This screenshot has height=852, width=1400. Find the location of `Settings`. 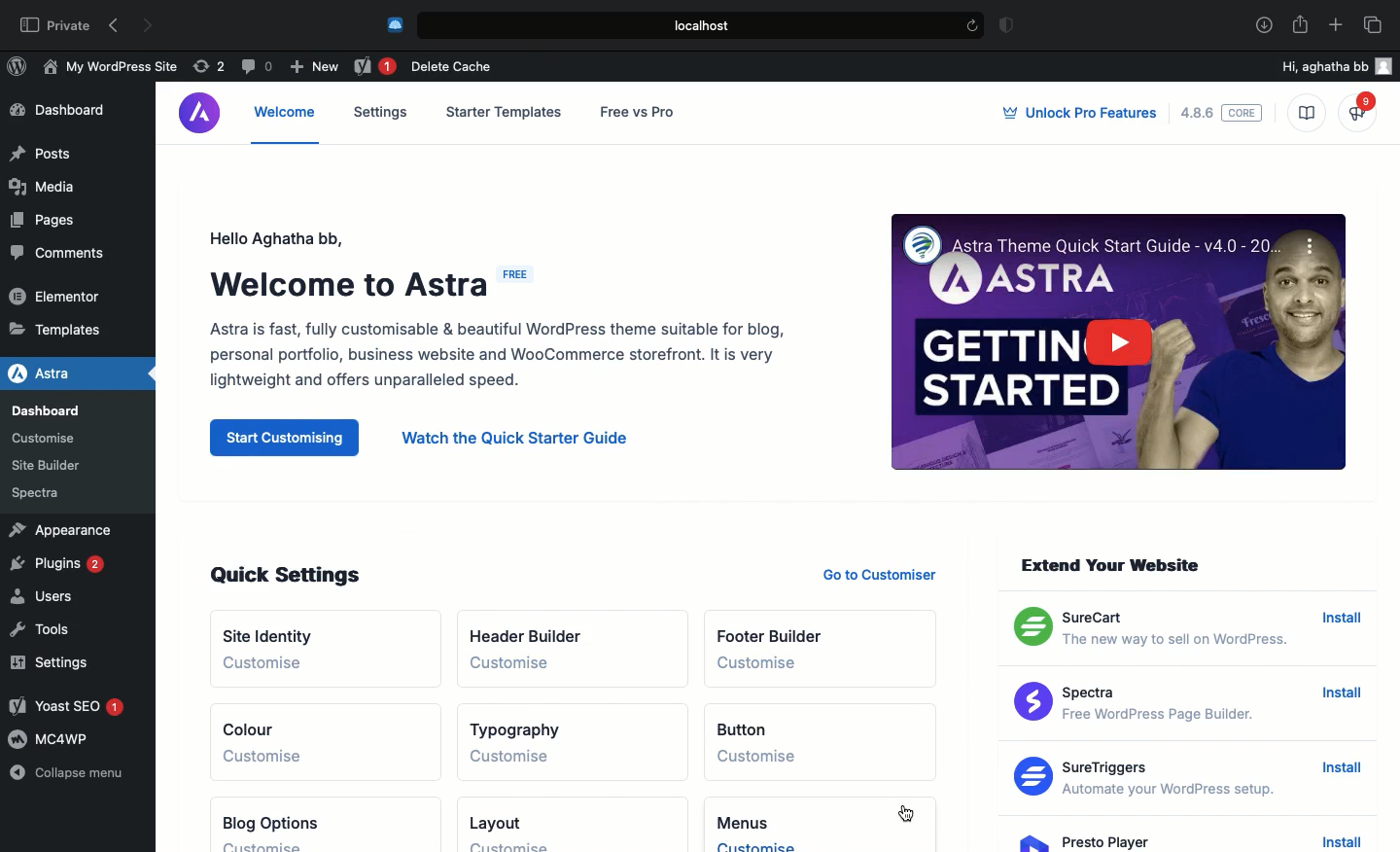

Settings is located at coordinates (44, 665).